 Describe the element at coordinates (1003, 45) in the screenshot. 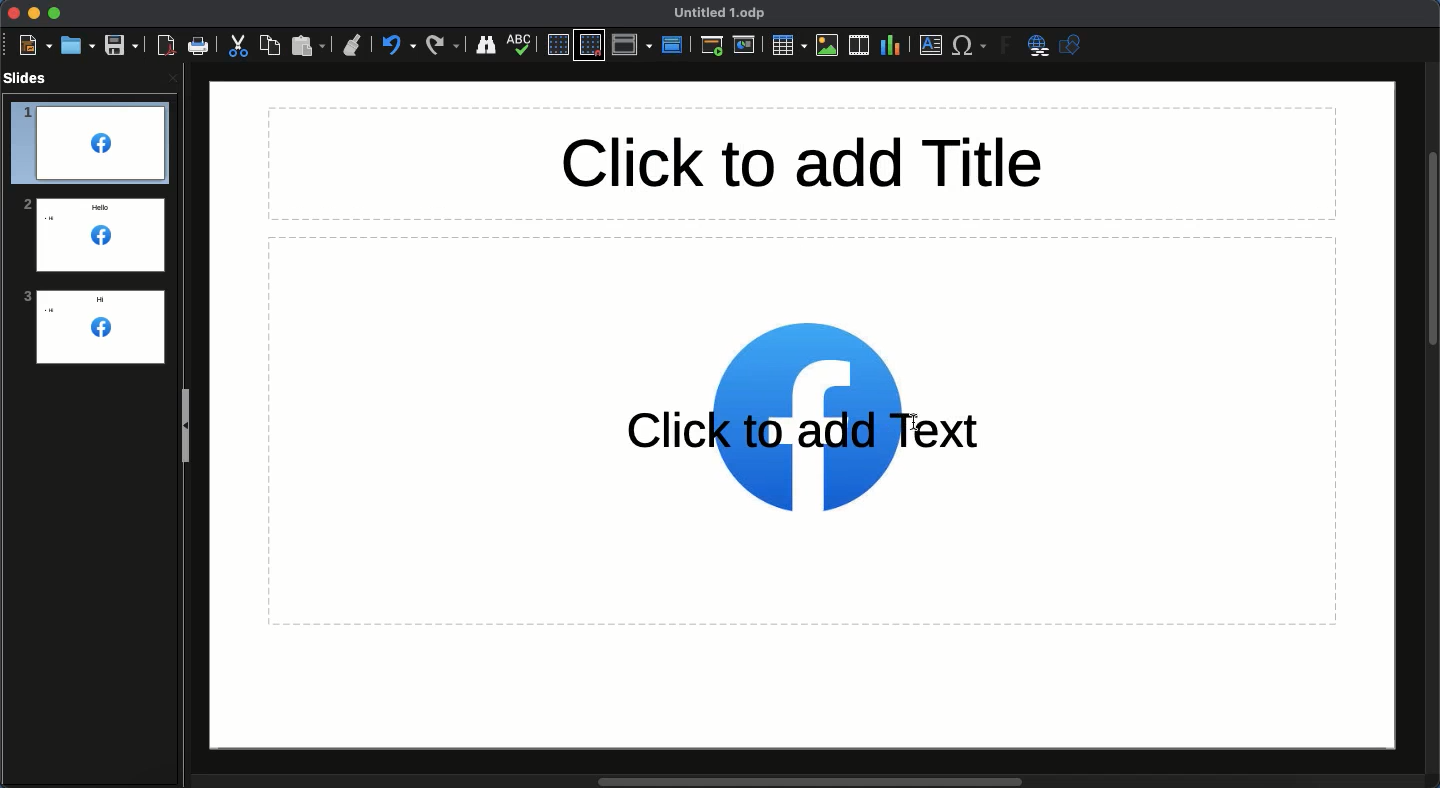

I see `Fontwork` at that location.